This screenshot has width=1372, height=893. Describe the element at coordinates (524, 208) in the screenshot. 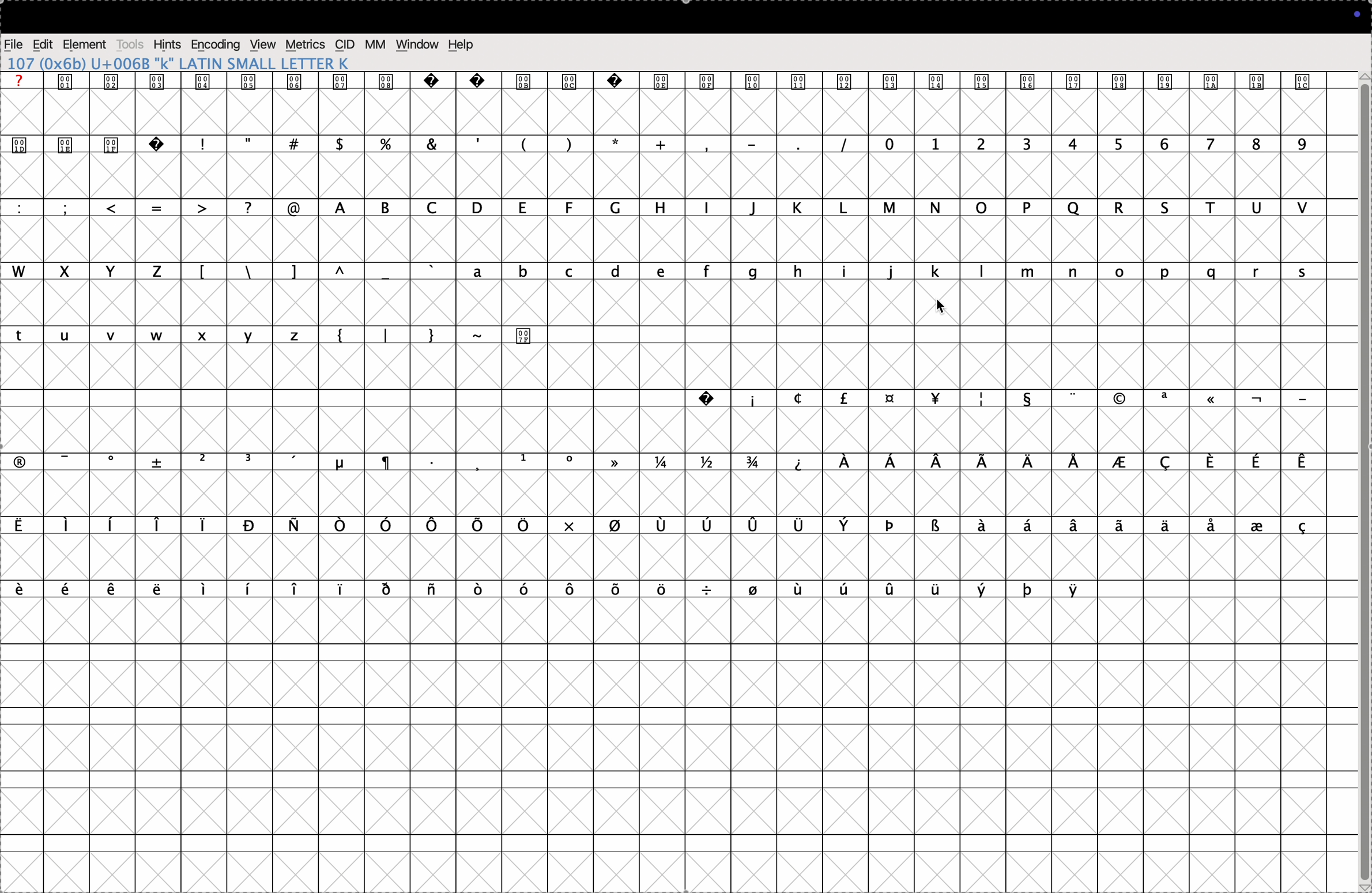

I see `e` at that location.